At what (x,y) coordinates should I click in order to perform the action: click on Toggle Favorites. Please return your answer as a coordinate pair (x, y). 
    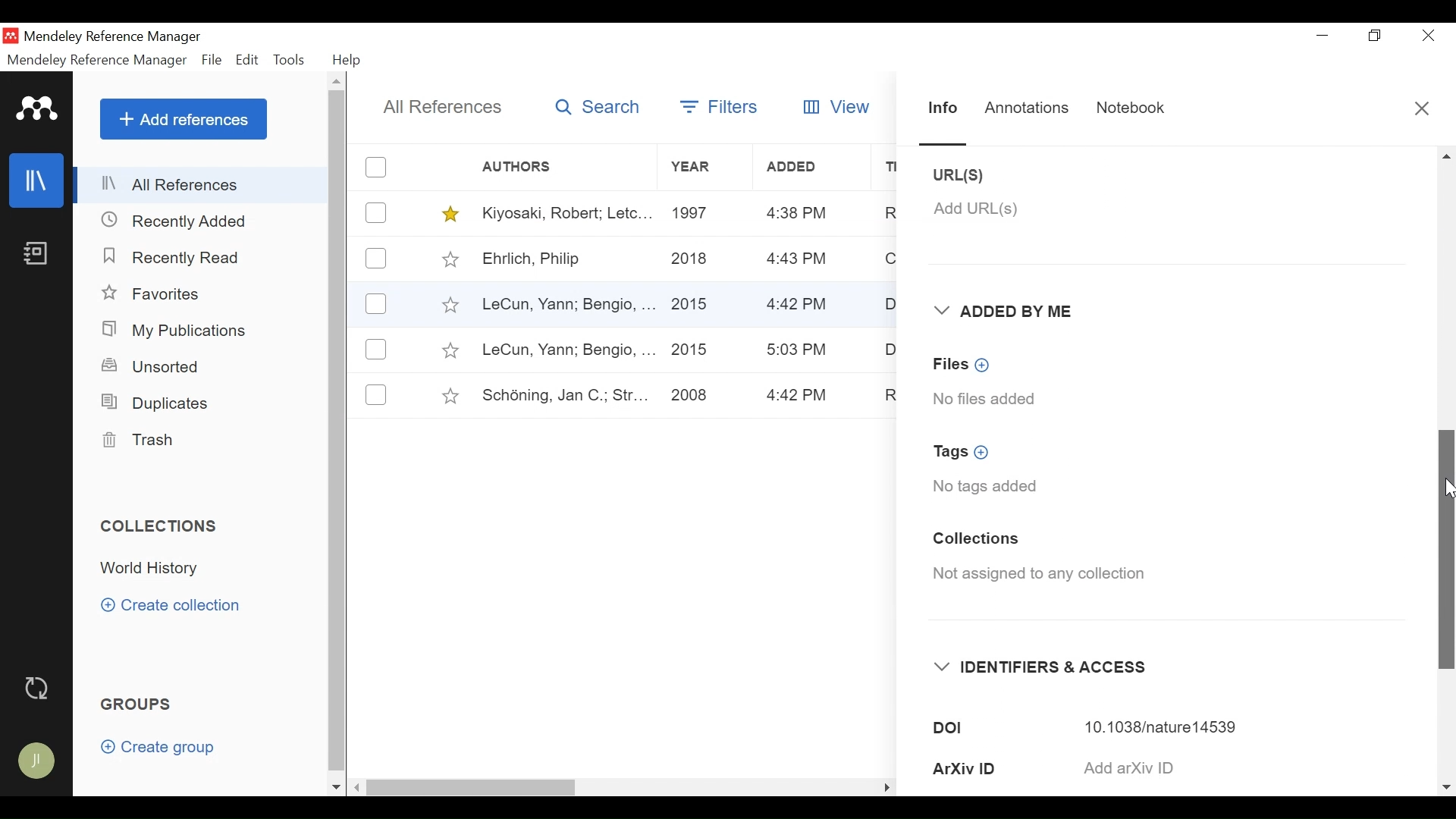
    Looking at the image, I should click on (451, 214).